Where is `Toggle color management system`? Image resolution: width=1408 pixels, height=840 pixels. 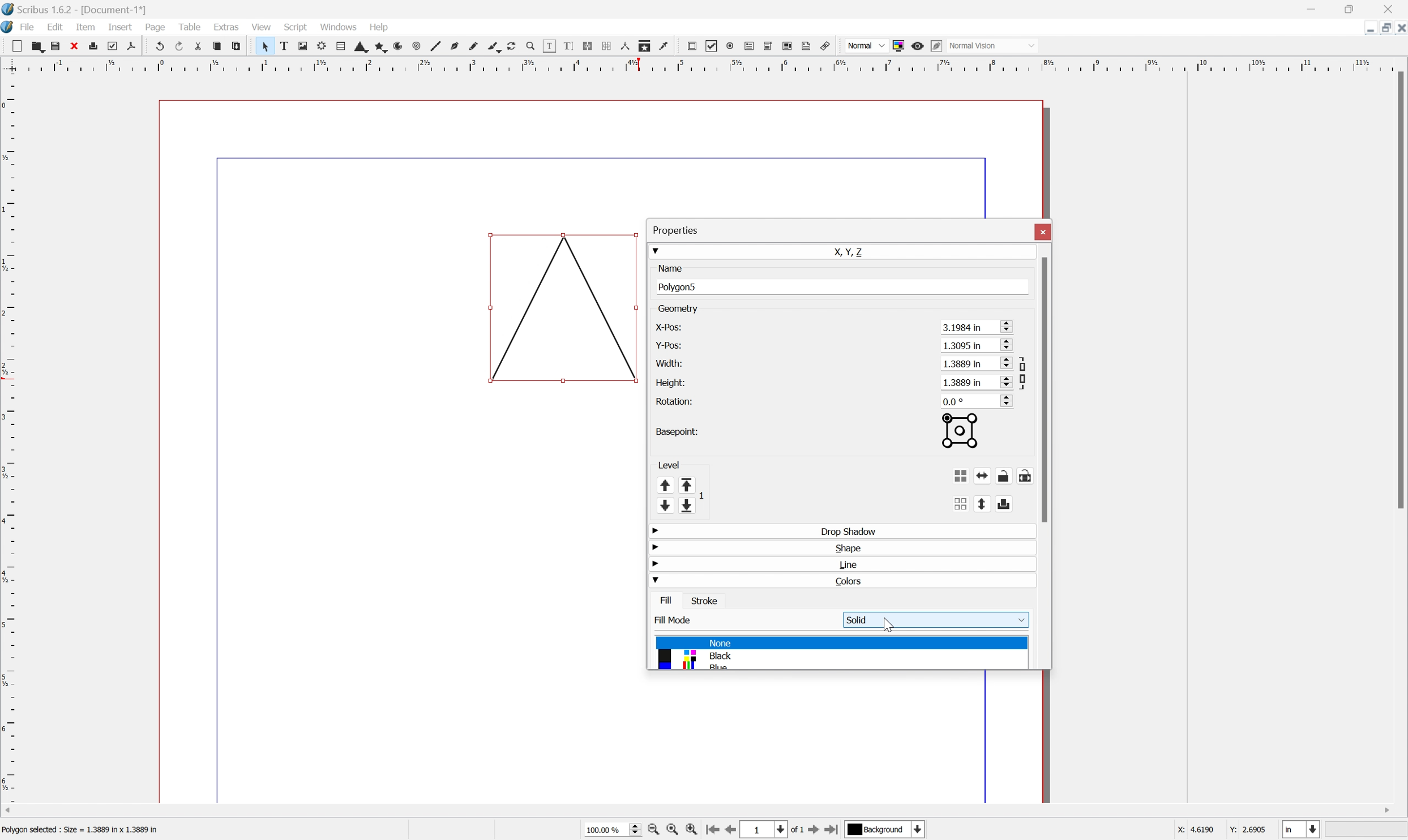
Toggle color management system is located at coordinates (898, 46).